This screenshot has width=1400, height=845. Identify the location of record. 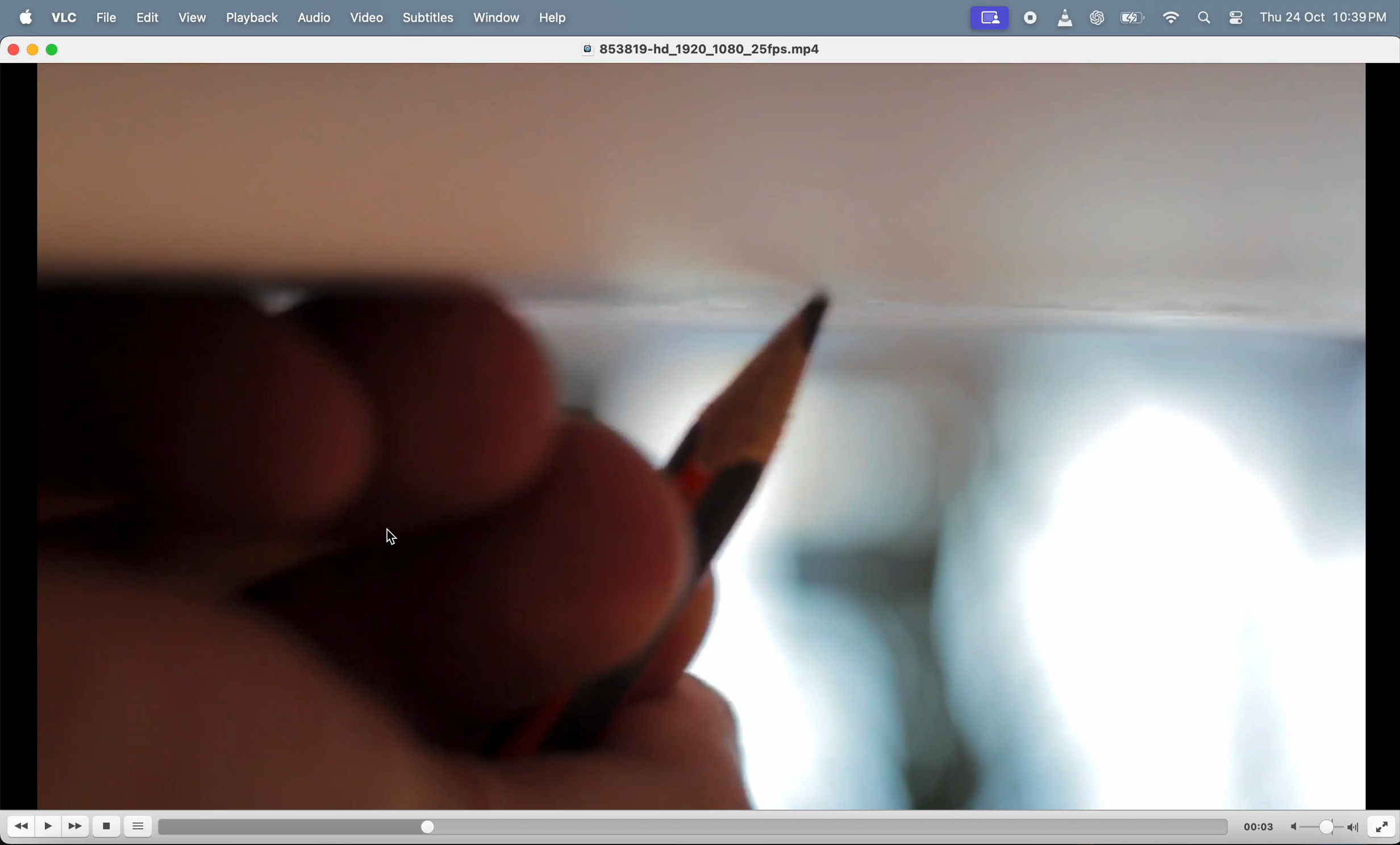
(1030, 18).